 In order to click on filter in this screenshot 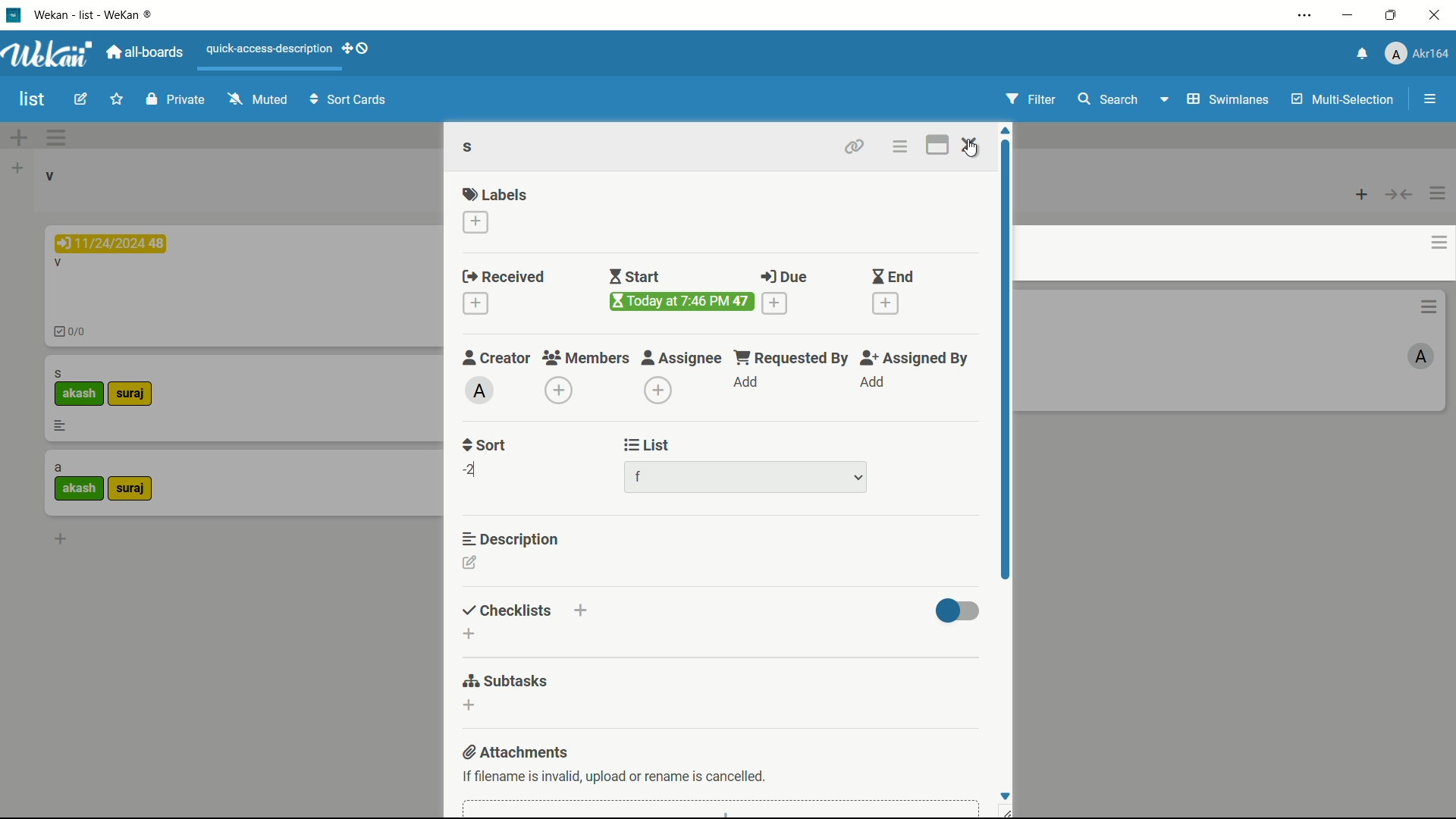, I will do `click(1034, 99)`.